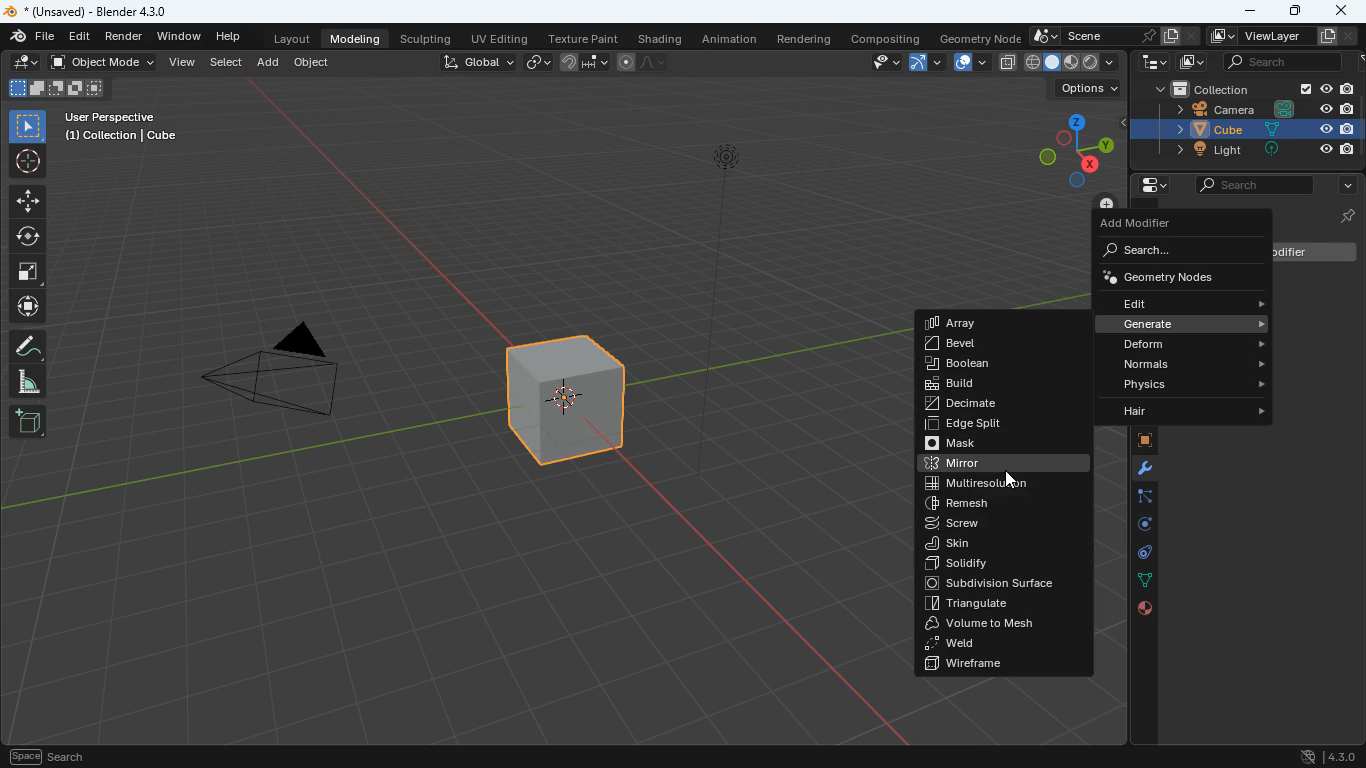 The image size is (1366, 768). Describe the element at coordinates (1003, 664) in the screenshot. I see `wireframe` at that location.